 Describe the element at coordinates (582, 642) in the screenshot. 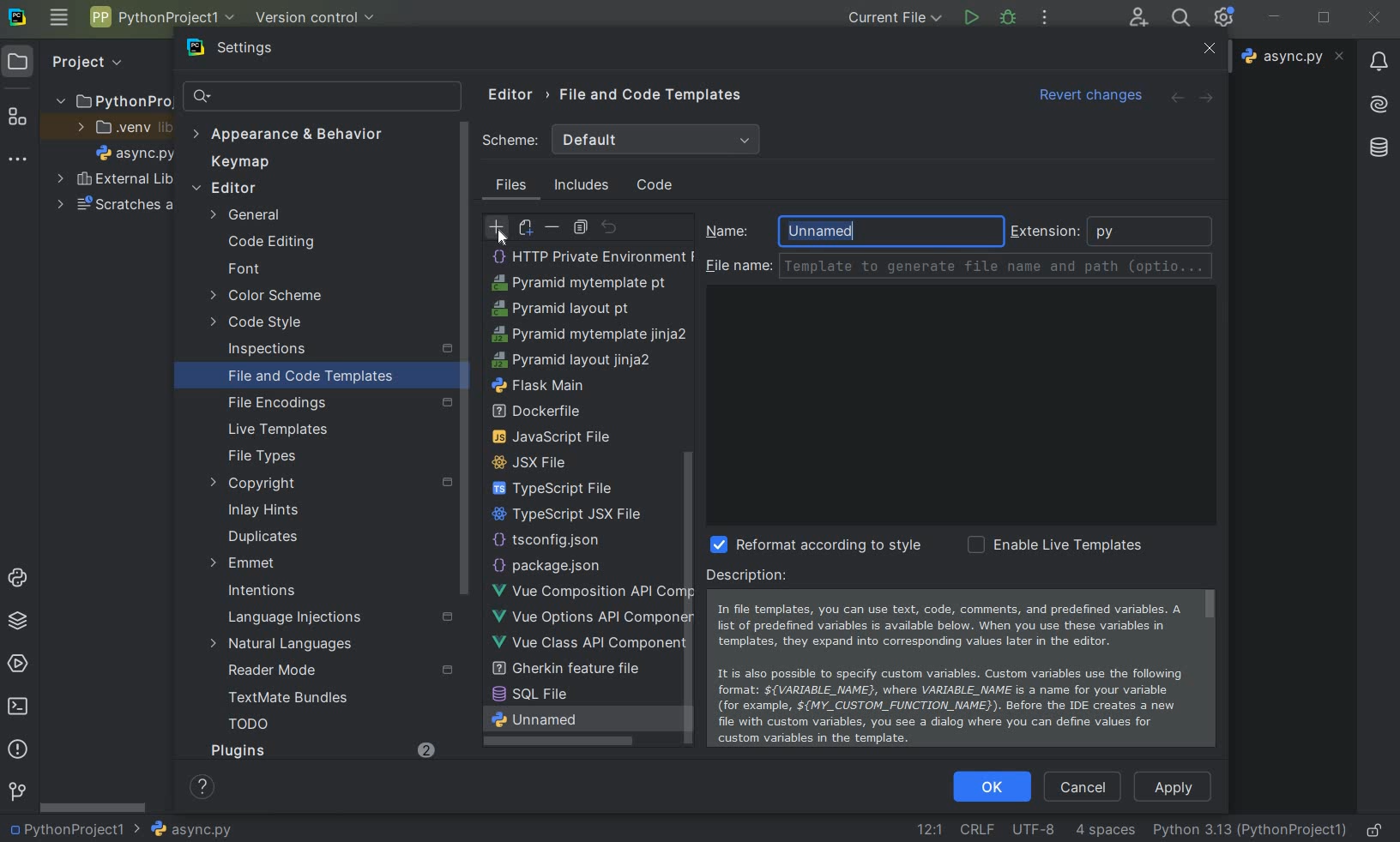

I see `Pyramid mytemplate pt` at that location.